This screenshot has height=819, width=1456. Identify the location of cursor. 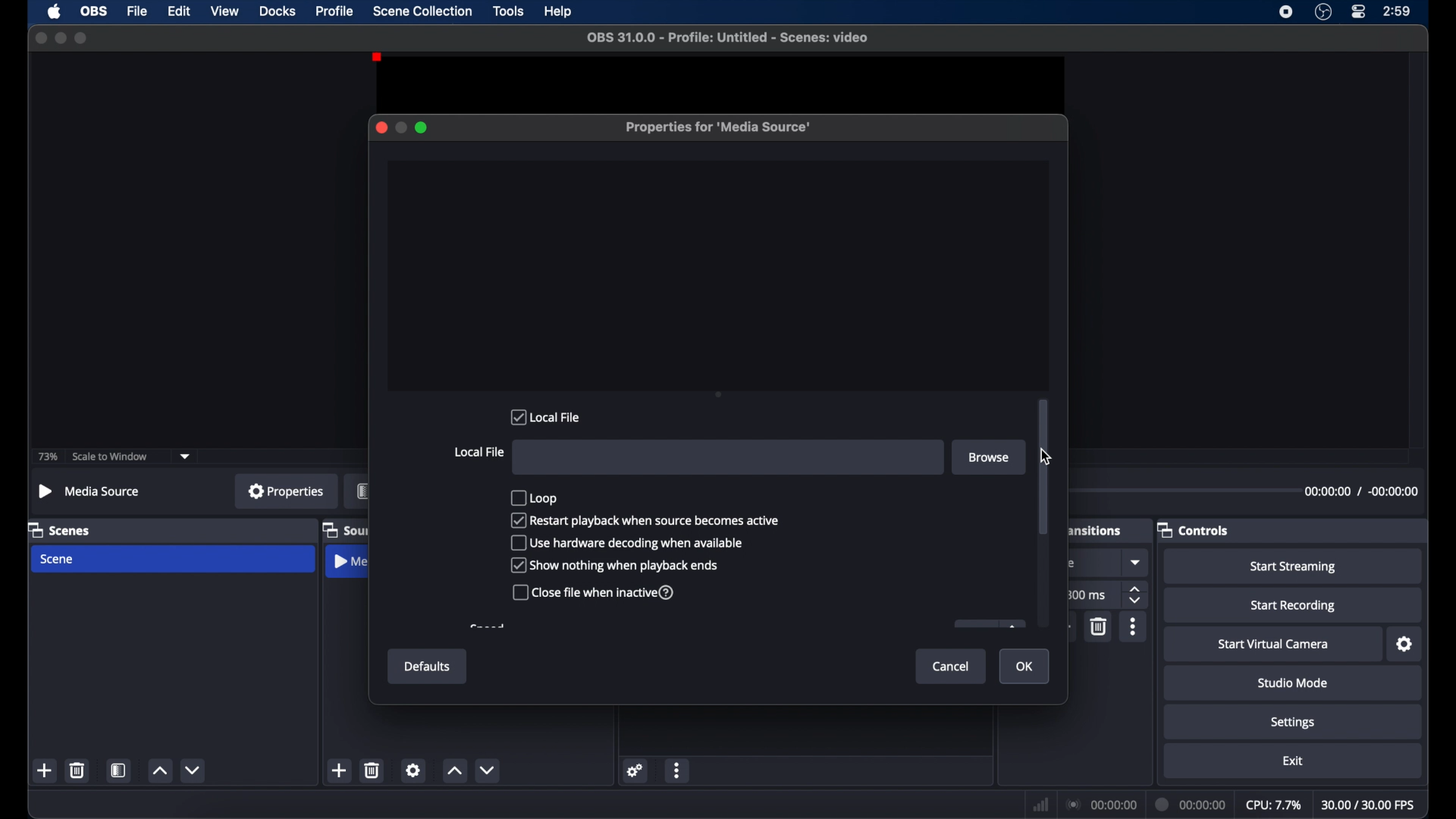
(1047, 457).